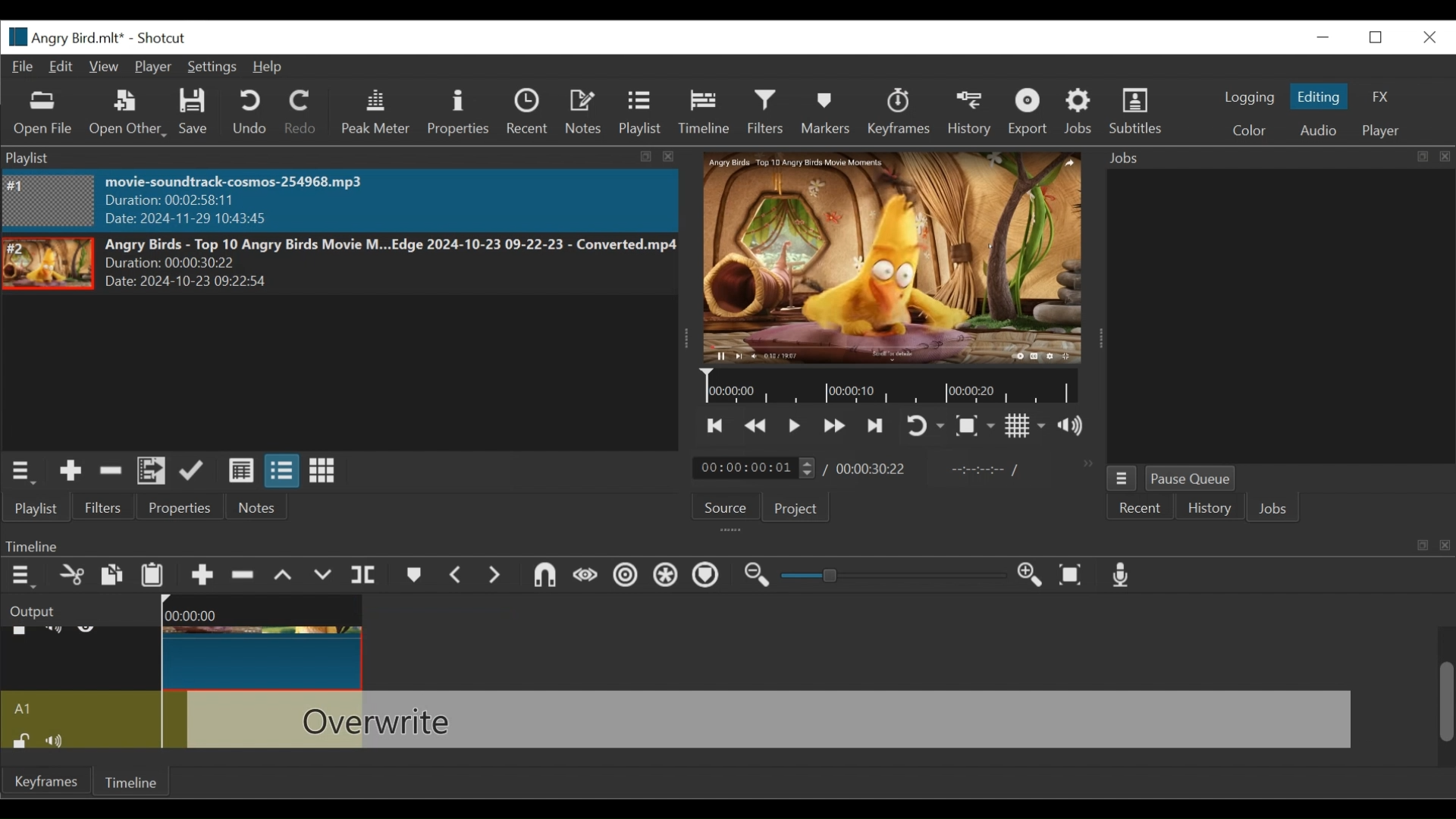 This screenshot has height=819, width=1456. What do you see at coordinates (1446, 686) in the screenshot?
I see `Scrollbar` at bounding box center [1446, 686].